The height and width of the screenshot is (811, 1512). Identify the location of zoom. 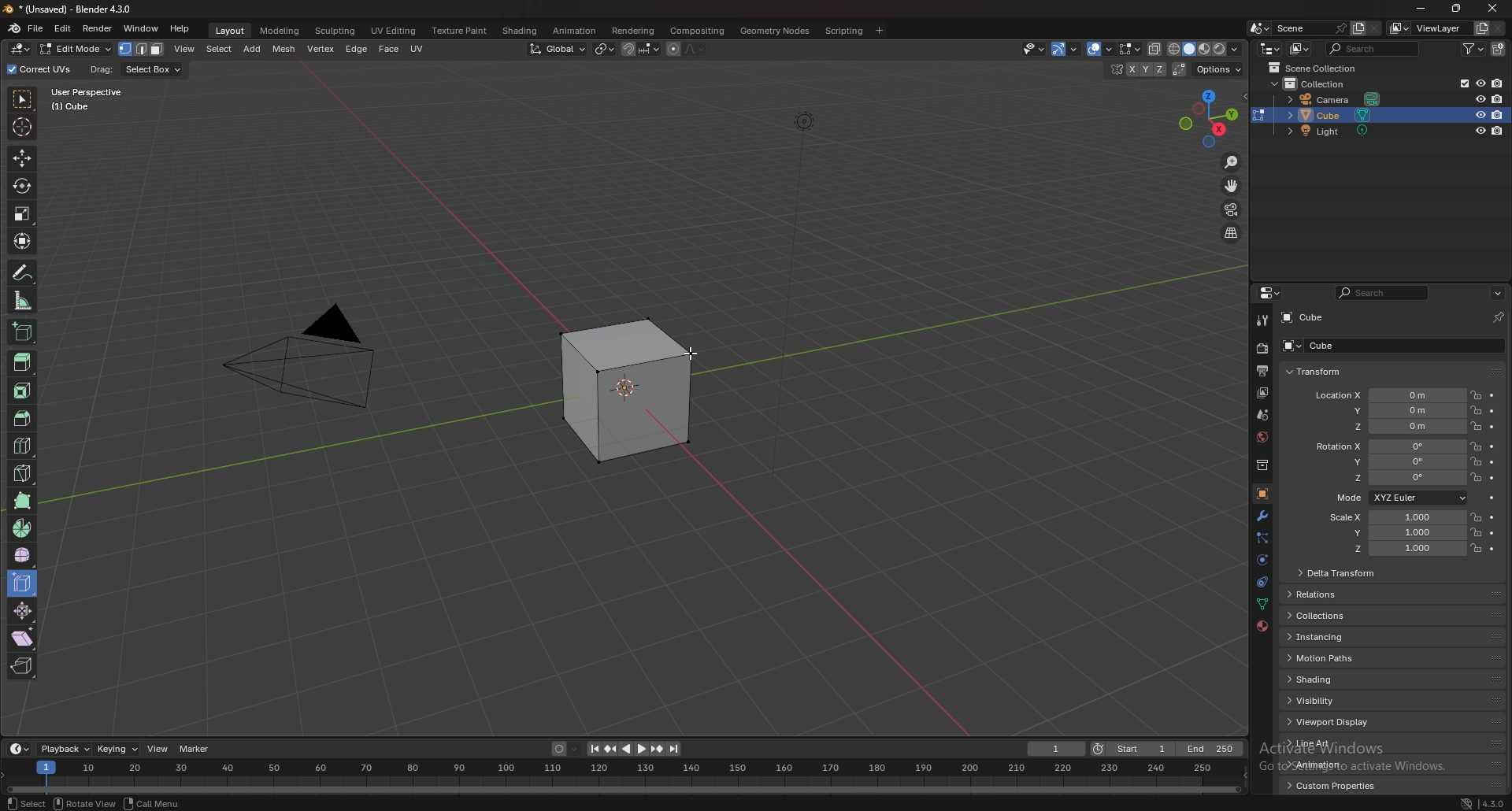
(1232, 163).